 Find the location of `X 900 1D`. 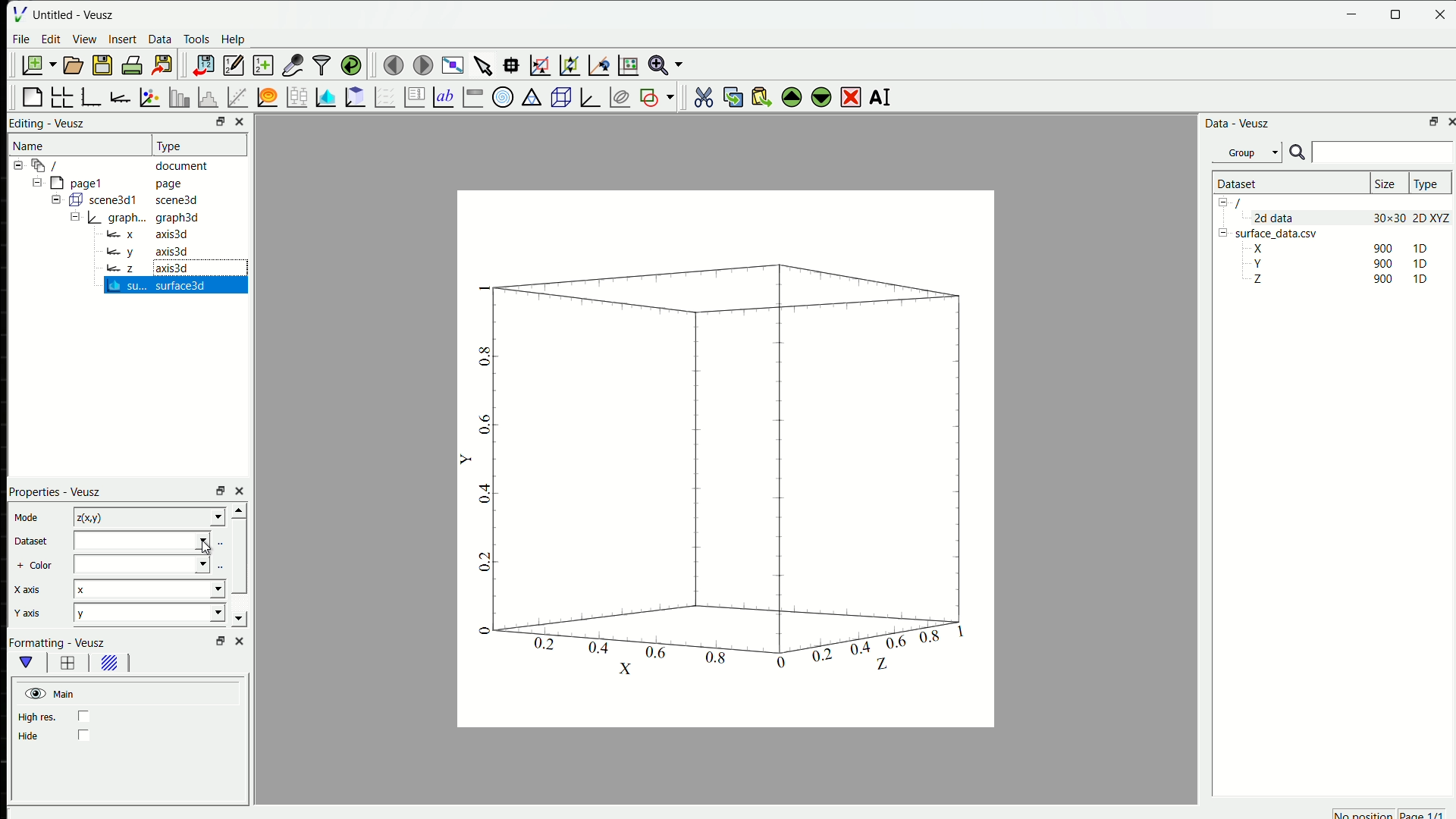

X 900 1D is located at coordinates (1335, 248).